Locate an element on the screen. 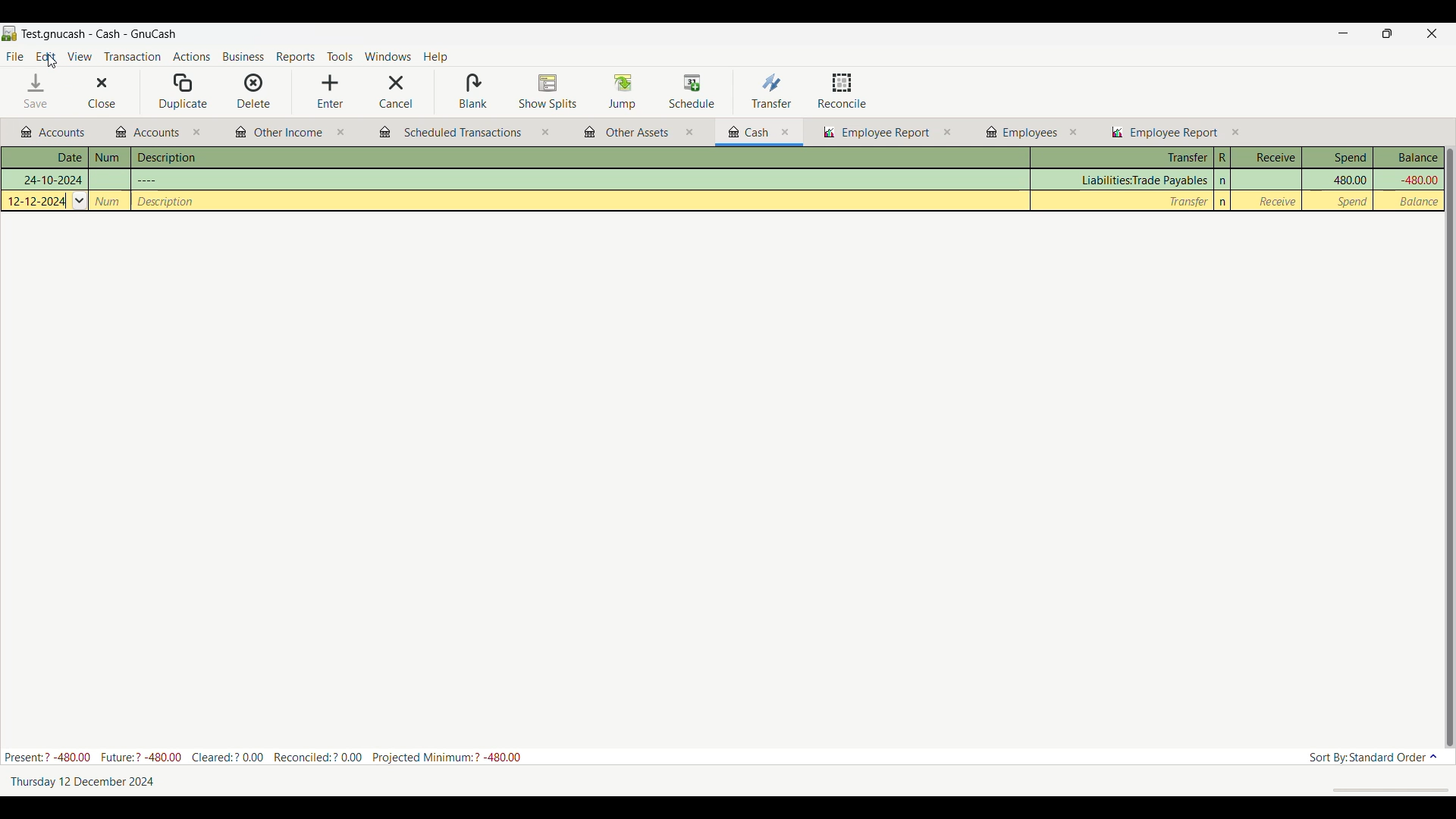 The height and width of the screenshot is (819, 1456). Delete is located at coordinates (255, 91).